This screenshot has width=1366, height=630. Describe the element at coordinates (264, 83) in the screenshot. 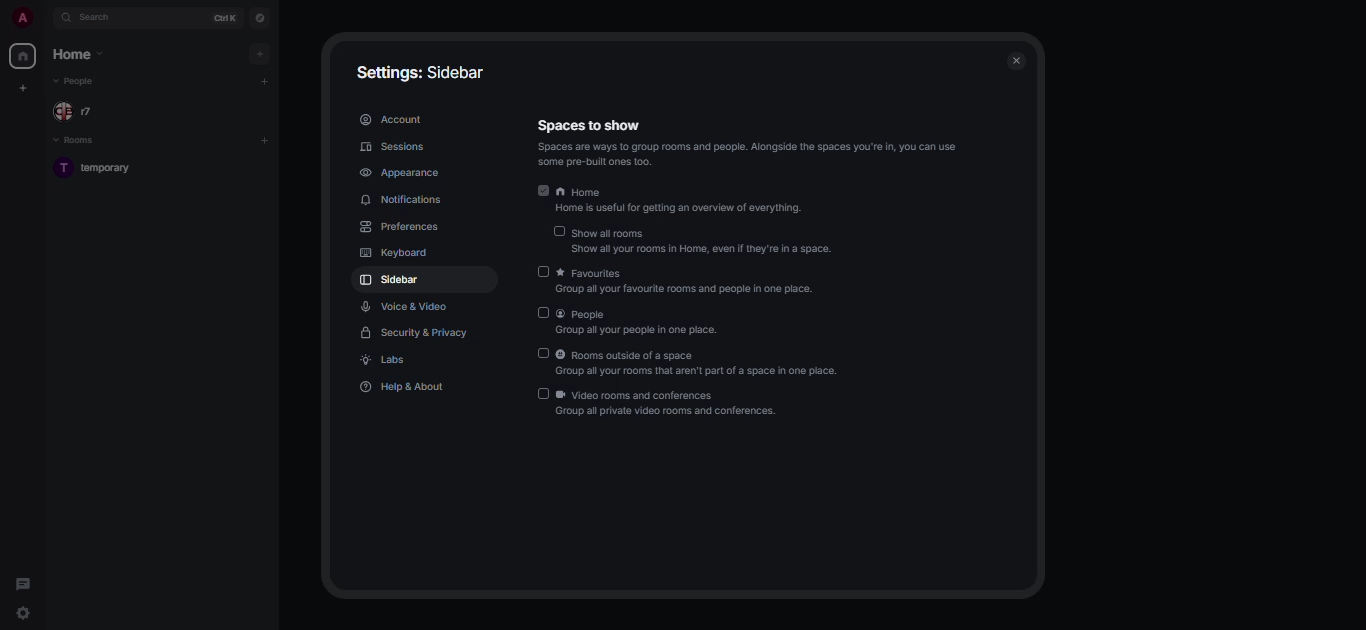

I see `add` at that location.